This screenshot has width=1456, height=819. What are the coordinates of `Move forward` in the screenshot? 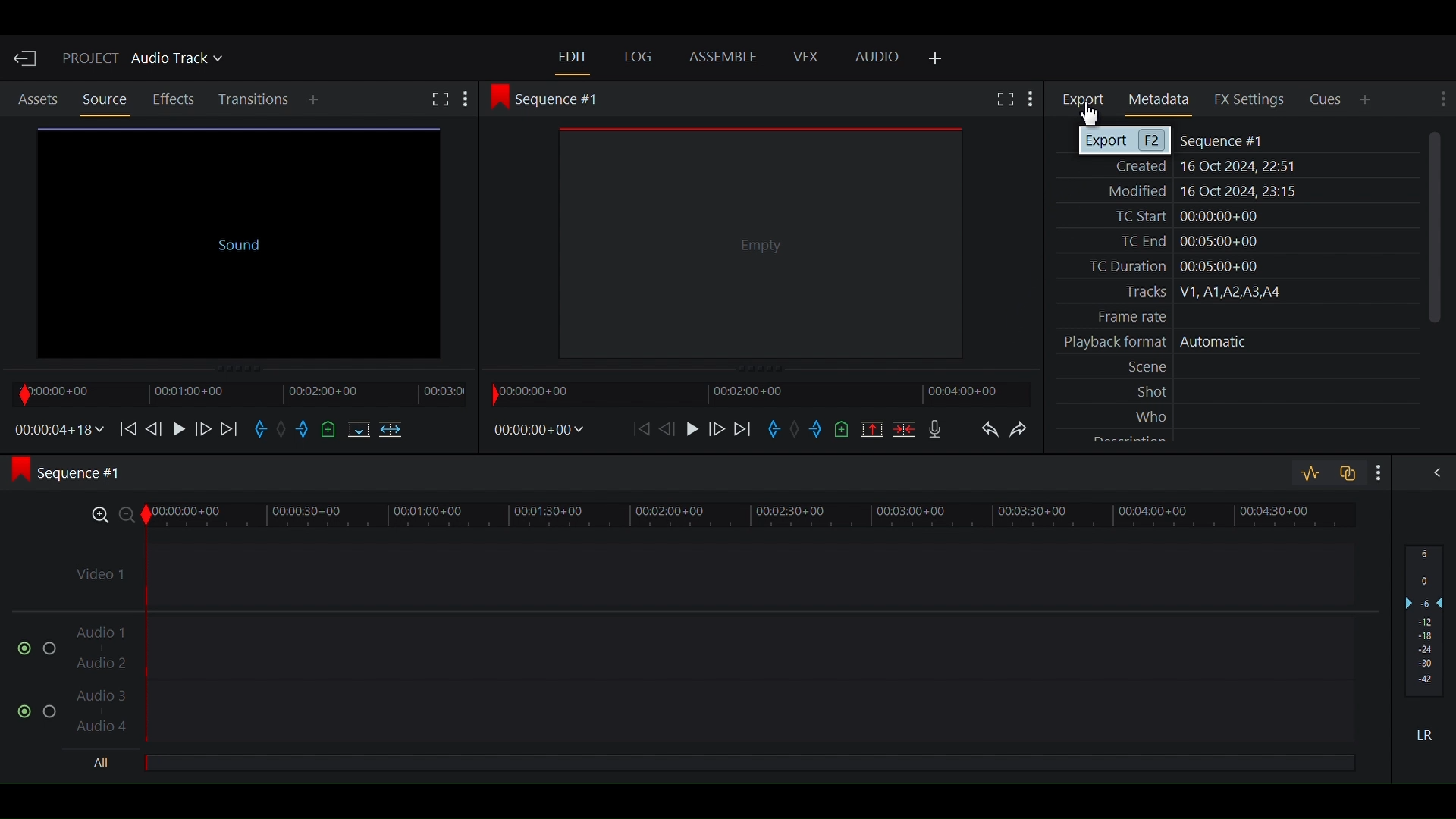 It's located at (745, 429).